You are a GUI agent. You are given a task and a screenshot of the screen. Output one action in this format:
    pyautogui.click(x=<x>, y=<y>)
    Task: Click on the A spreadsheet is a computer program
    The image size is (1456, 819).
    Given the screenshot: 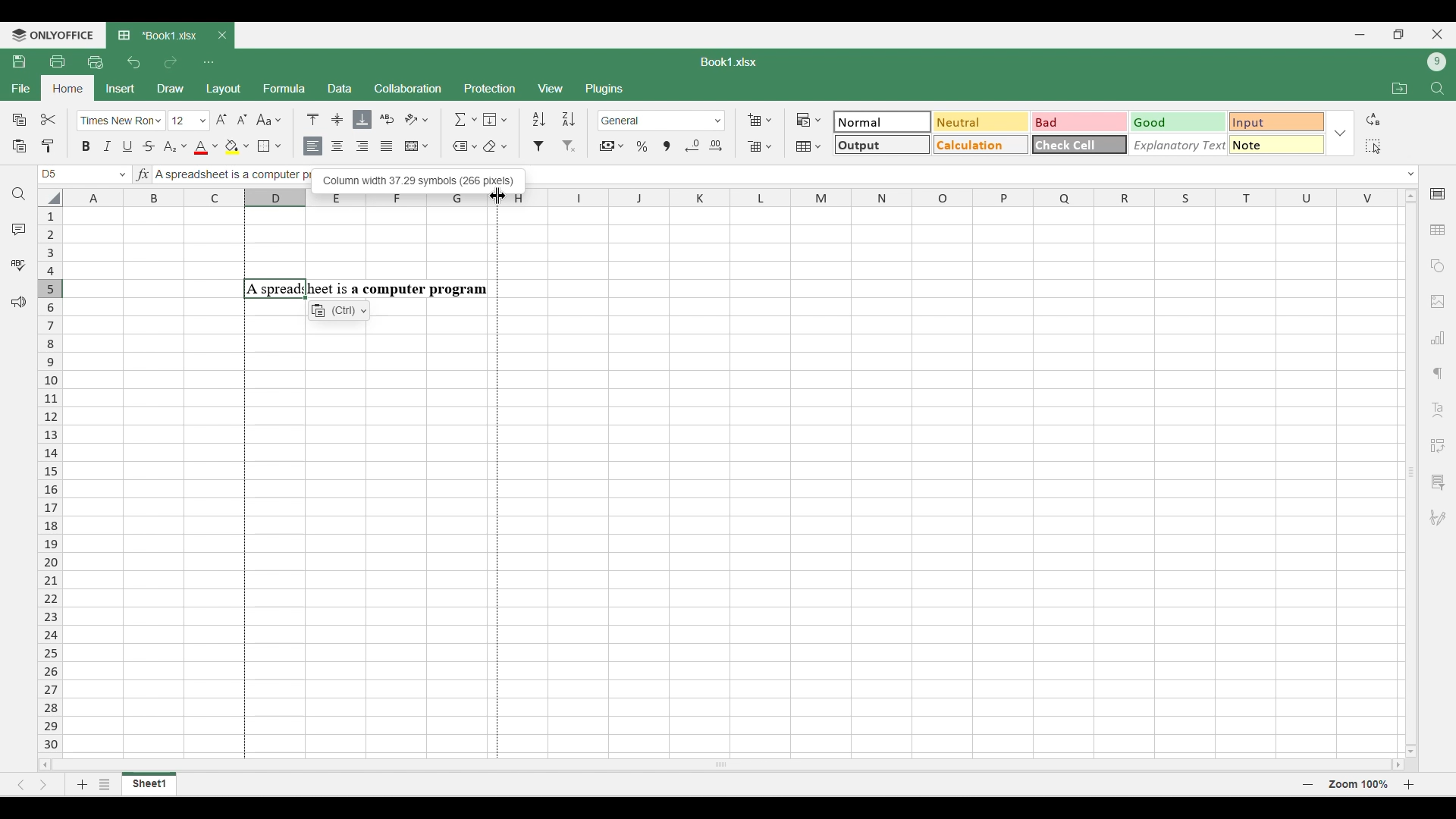 What is the action you would take?
    pyautogui.click(x=366, y=289)
    